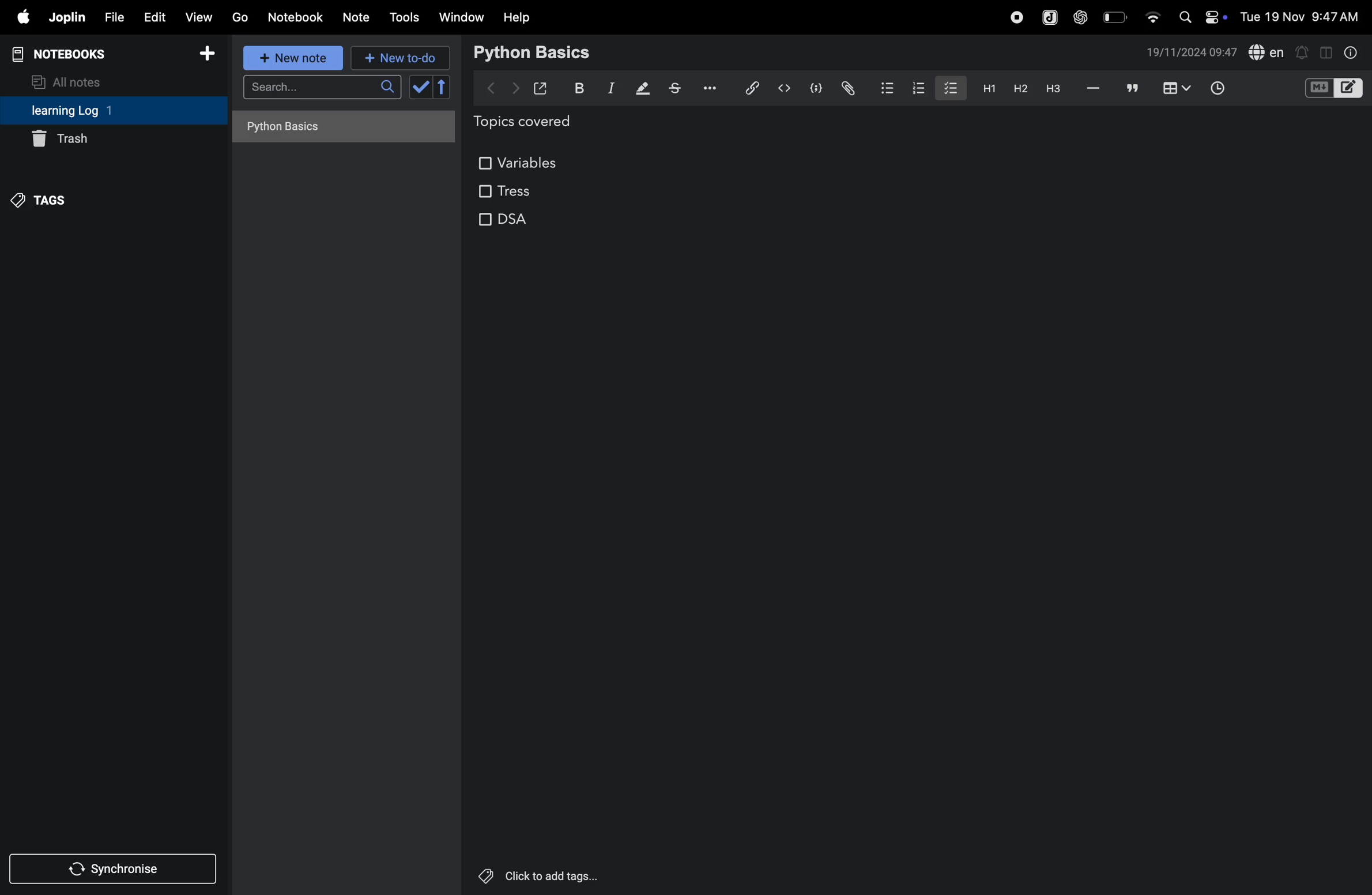  What do you see at coordinates (609, 89) in the screenshot?
I see `itallic` at bounding box center [609, 89].